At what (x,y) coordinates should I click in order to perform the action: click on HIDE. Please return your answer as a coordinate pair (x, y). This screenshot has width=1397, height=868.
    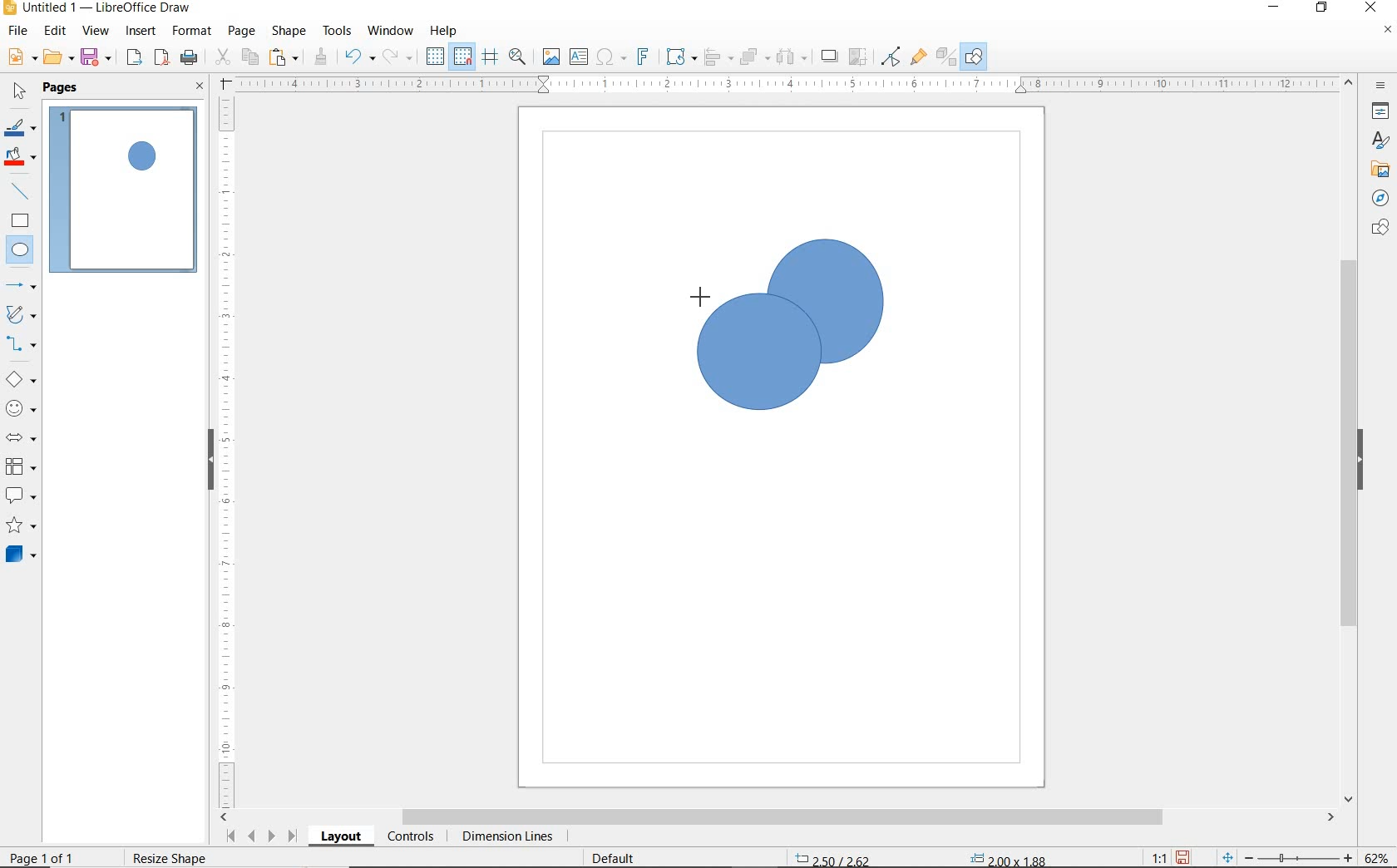
    Looking at the image, I should click on (208, 457).